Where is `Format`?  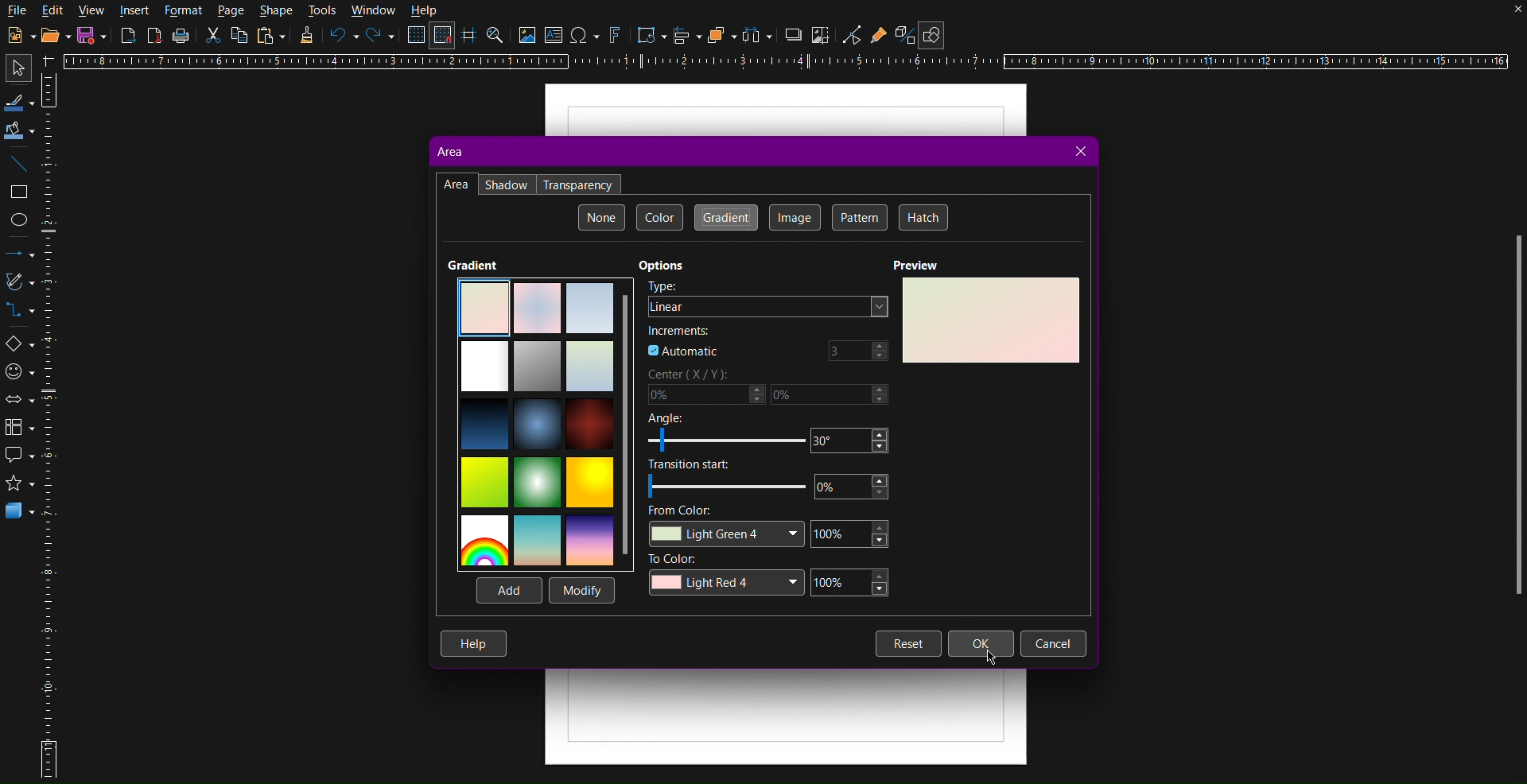 Format is located at coordinates (183, 11).